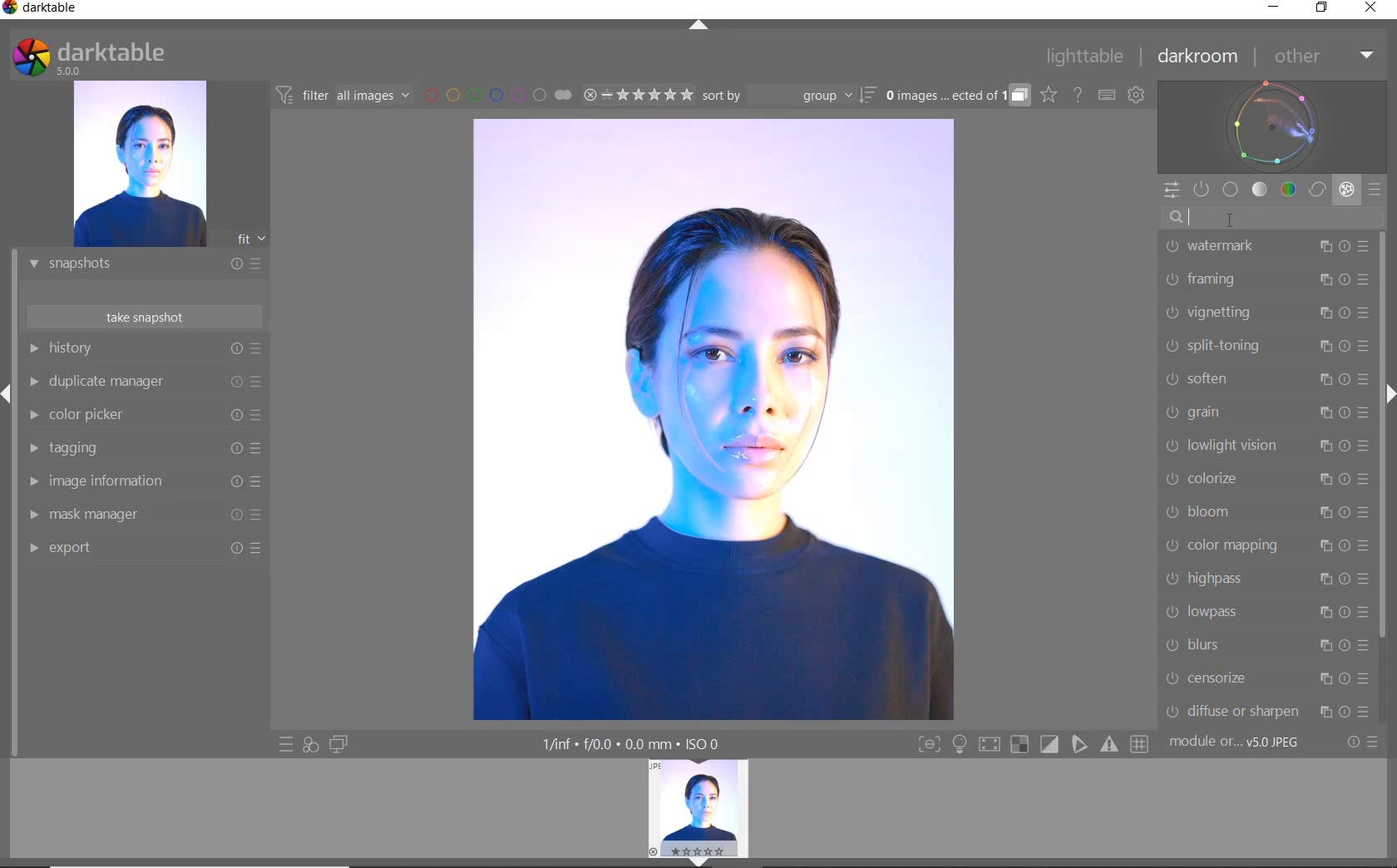  I want to click on VIGNETTING, so click(1265, 312).